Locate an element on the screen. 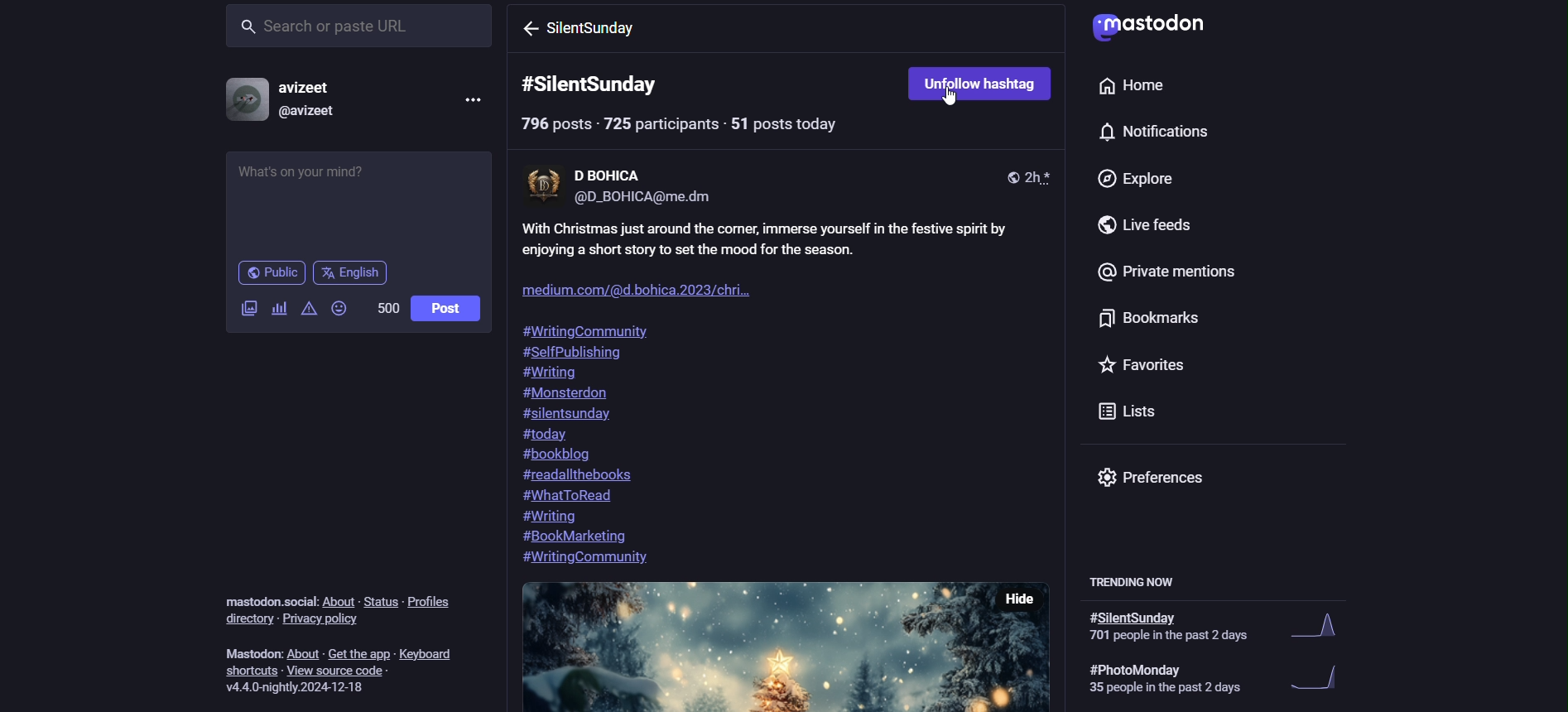 The height and width of the screenshot is (712, 1568). other post picture is located at coordinates (752, 644).